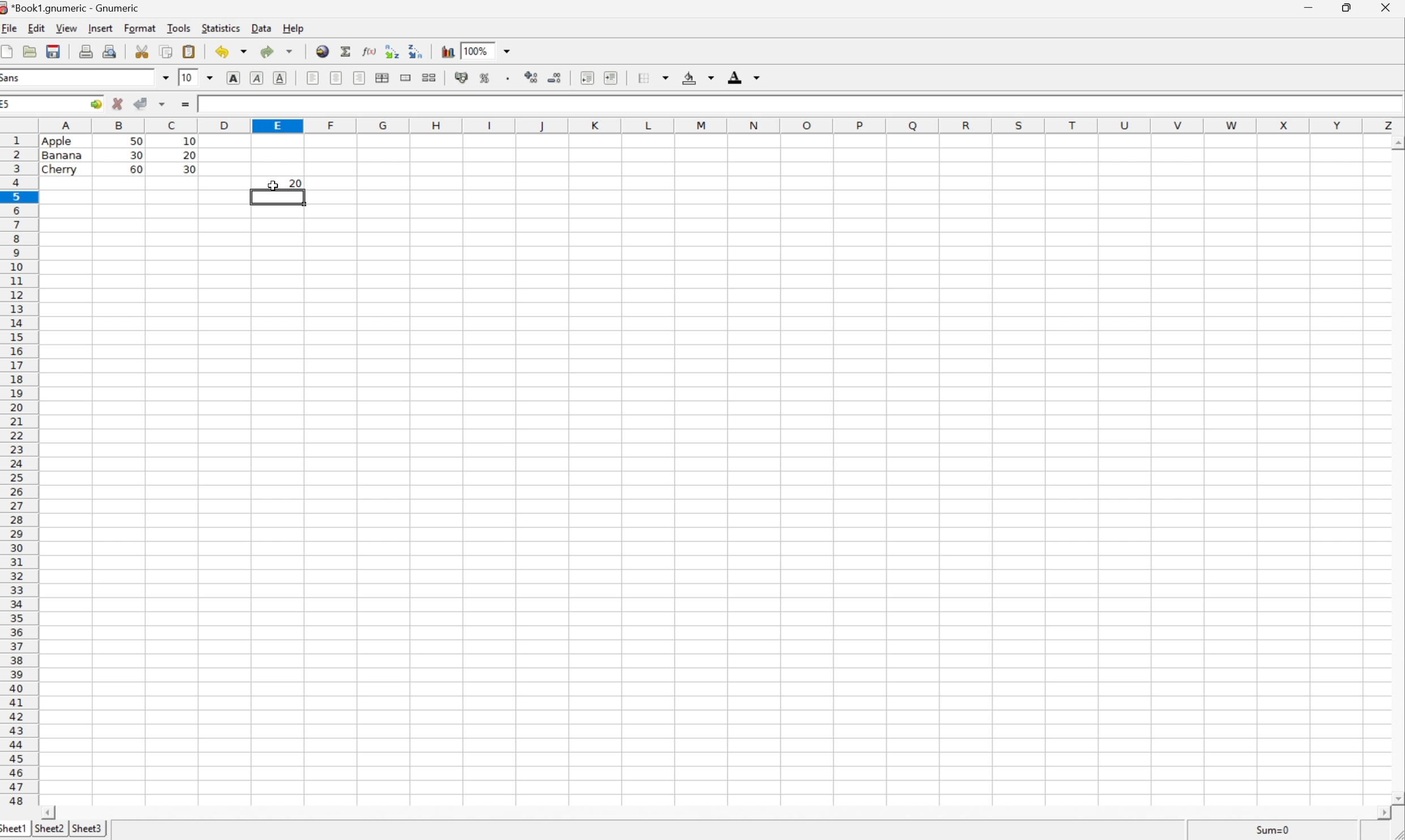  I want to click on sum in current cell, so click(348, 50).